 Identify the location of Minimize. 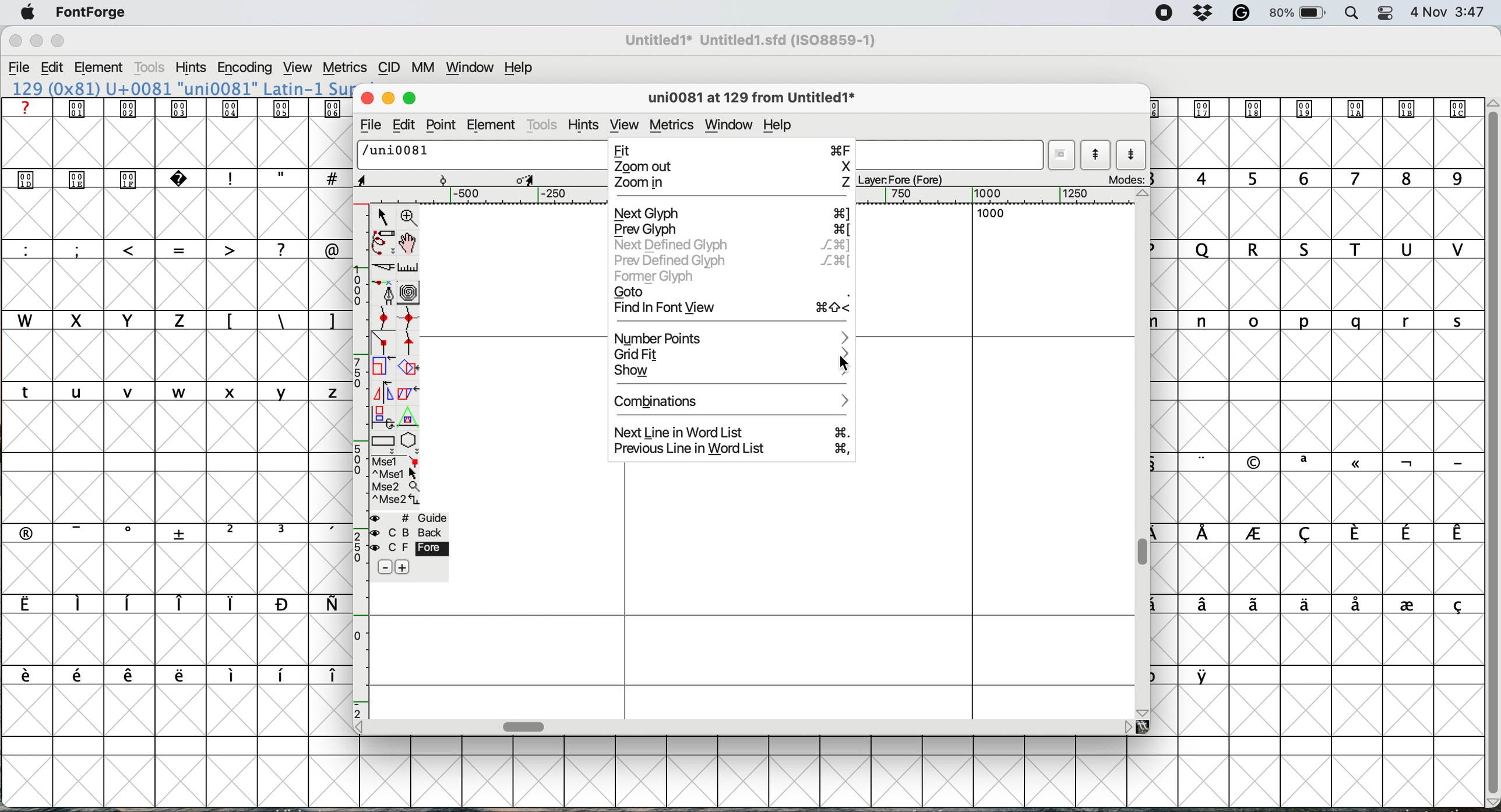
(38, 41).